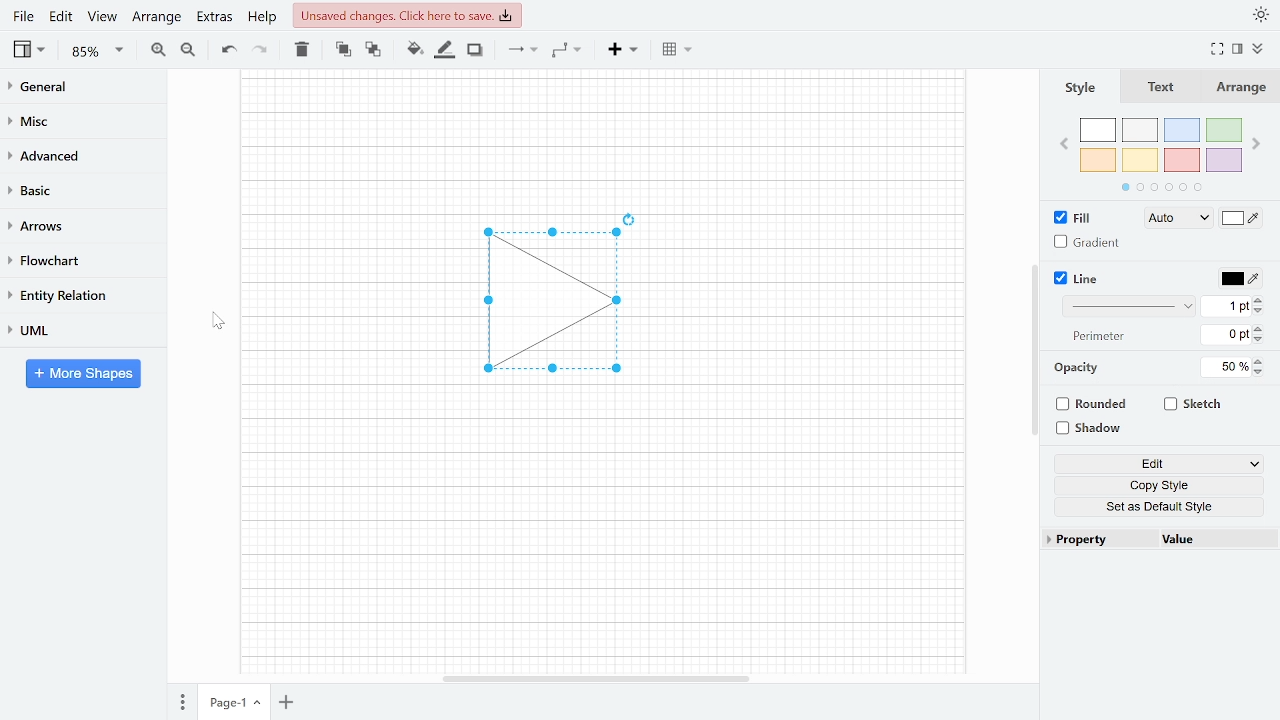 The image size is (1280, 720). I want to click on Current Opacity, so click(1223, 366).